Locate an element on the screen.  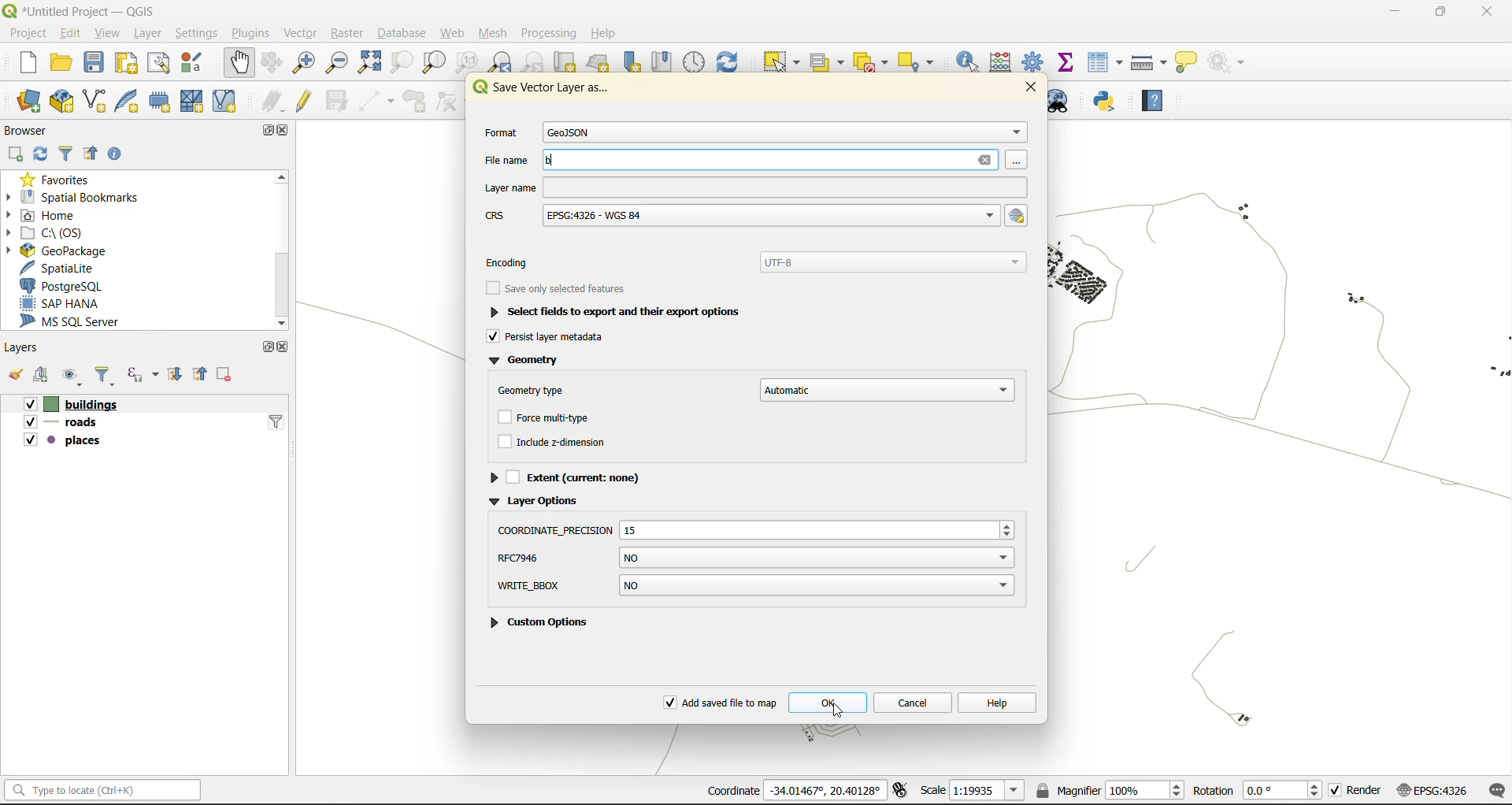
add polygon is located at coordinates (417, 102).